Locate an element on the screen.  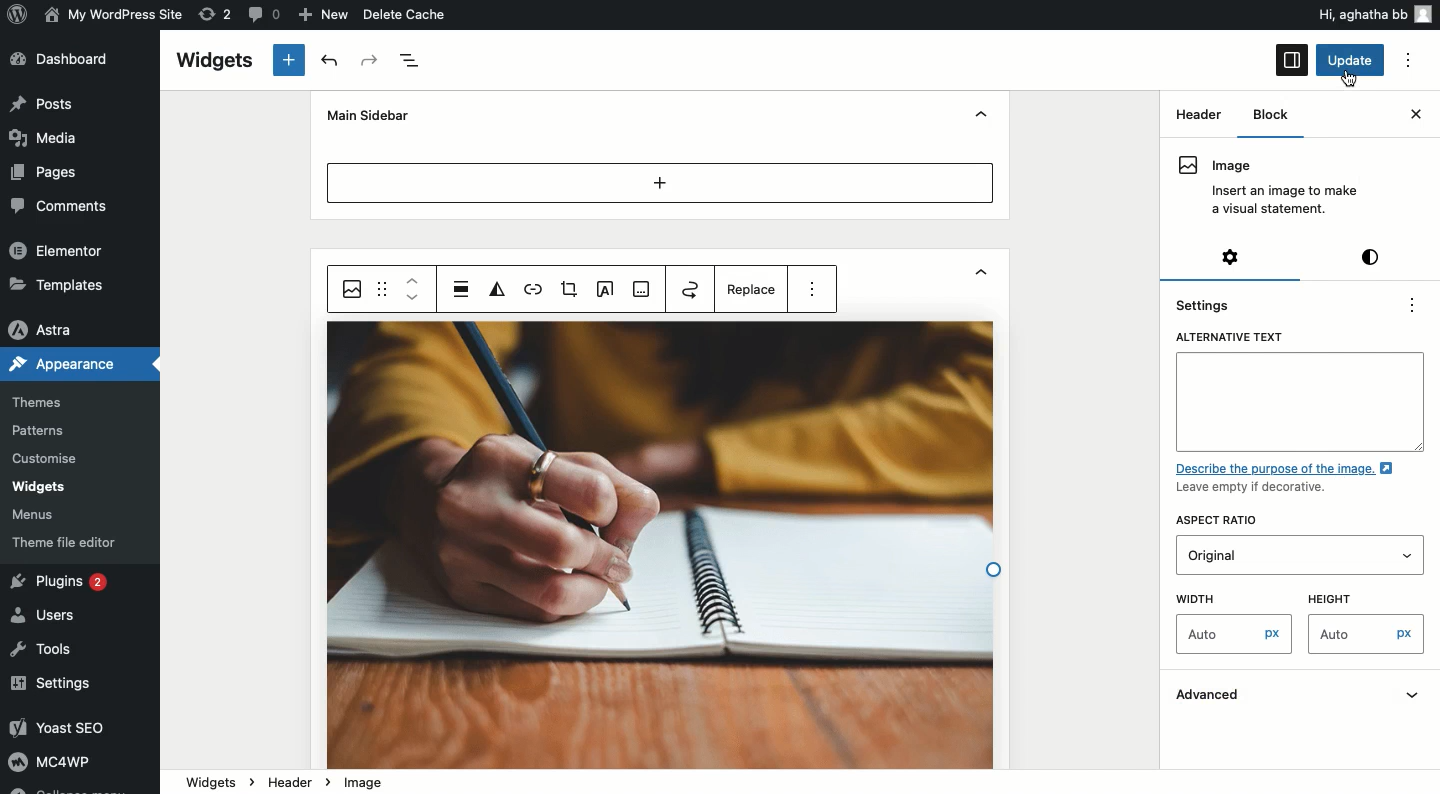
Yoast SEO is located at coordinates (67, 727).